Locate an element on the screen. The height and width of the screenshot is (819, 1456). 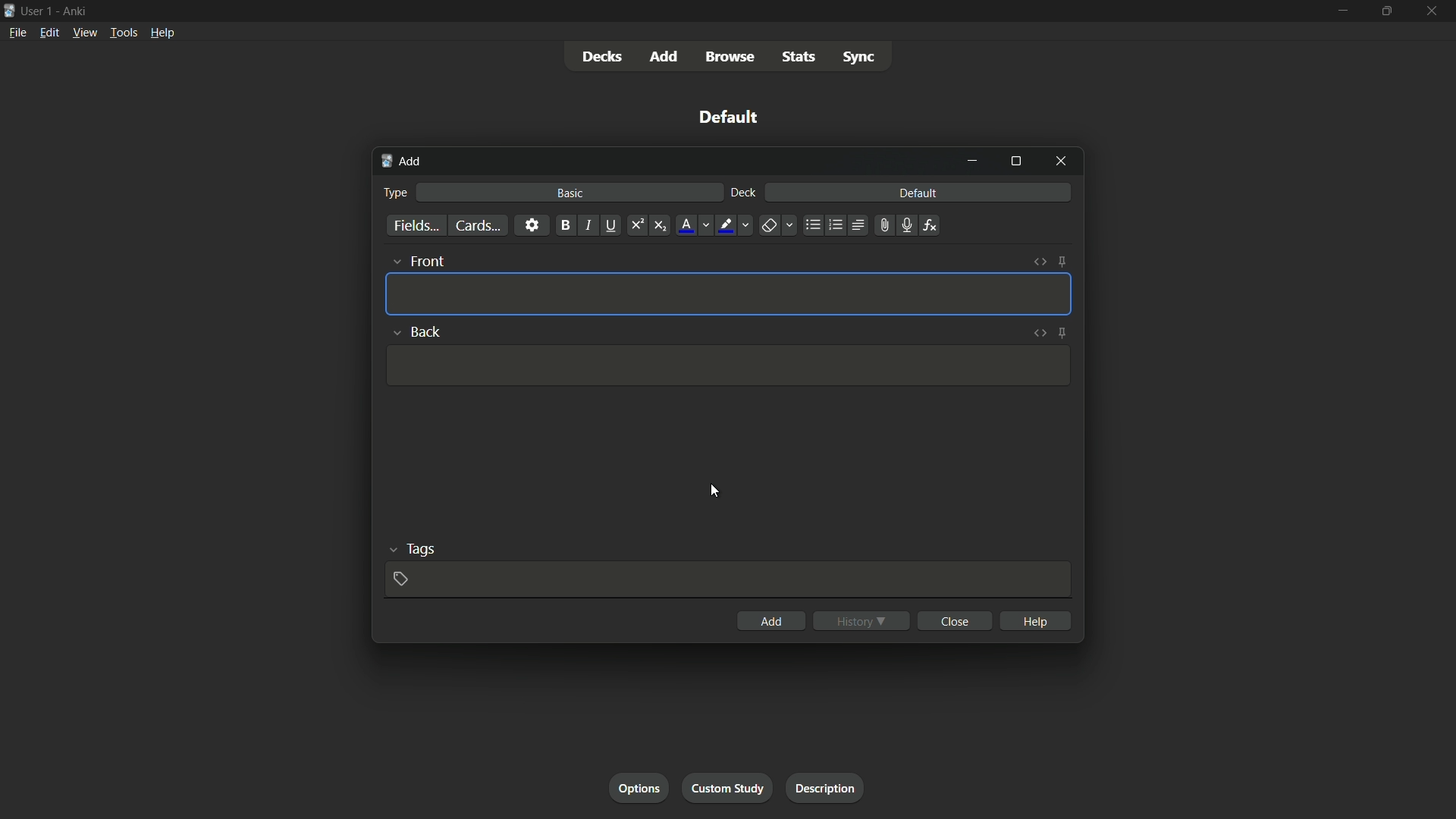
default is located at coordinates (918, 192).